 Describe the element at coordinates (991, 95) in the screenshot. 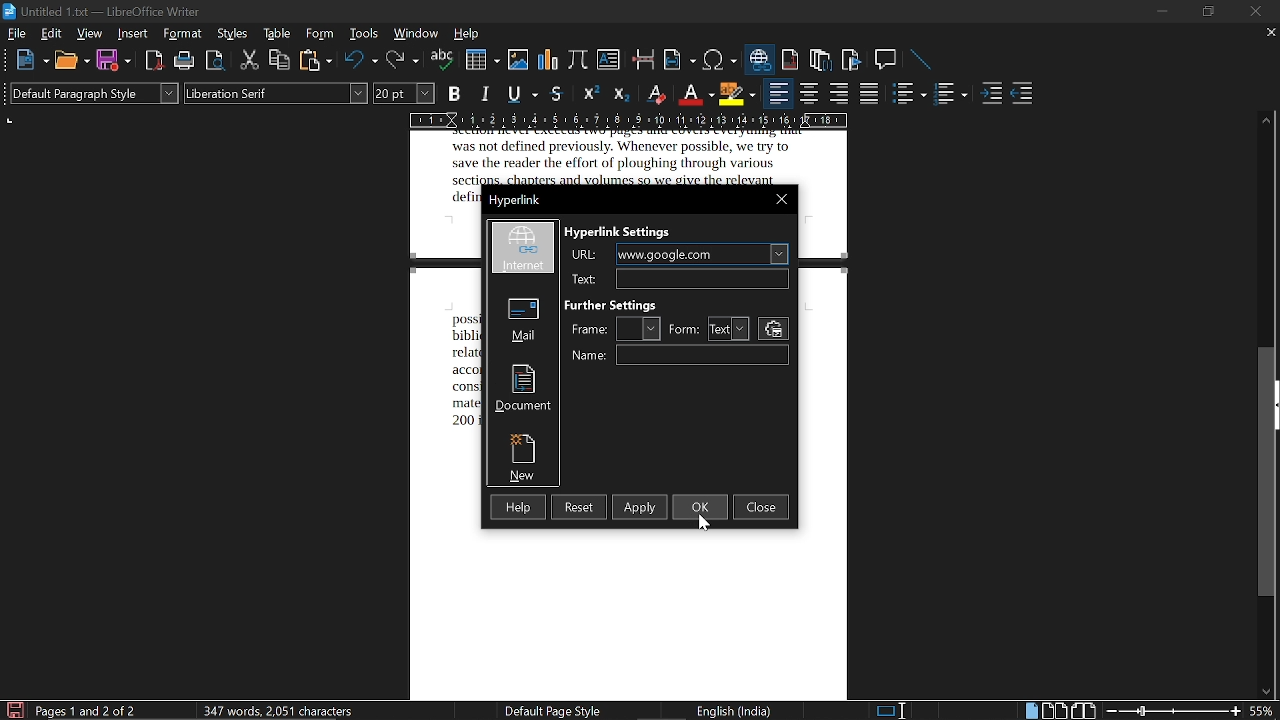

I see `increase indent` at that location.